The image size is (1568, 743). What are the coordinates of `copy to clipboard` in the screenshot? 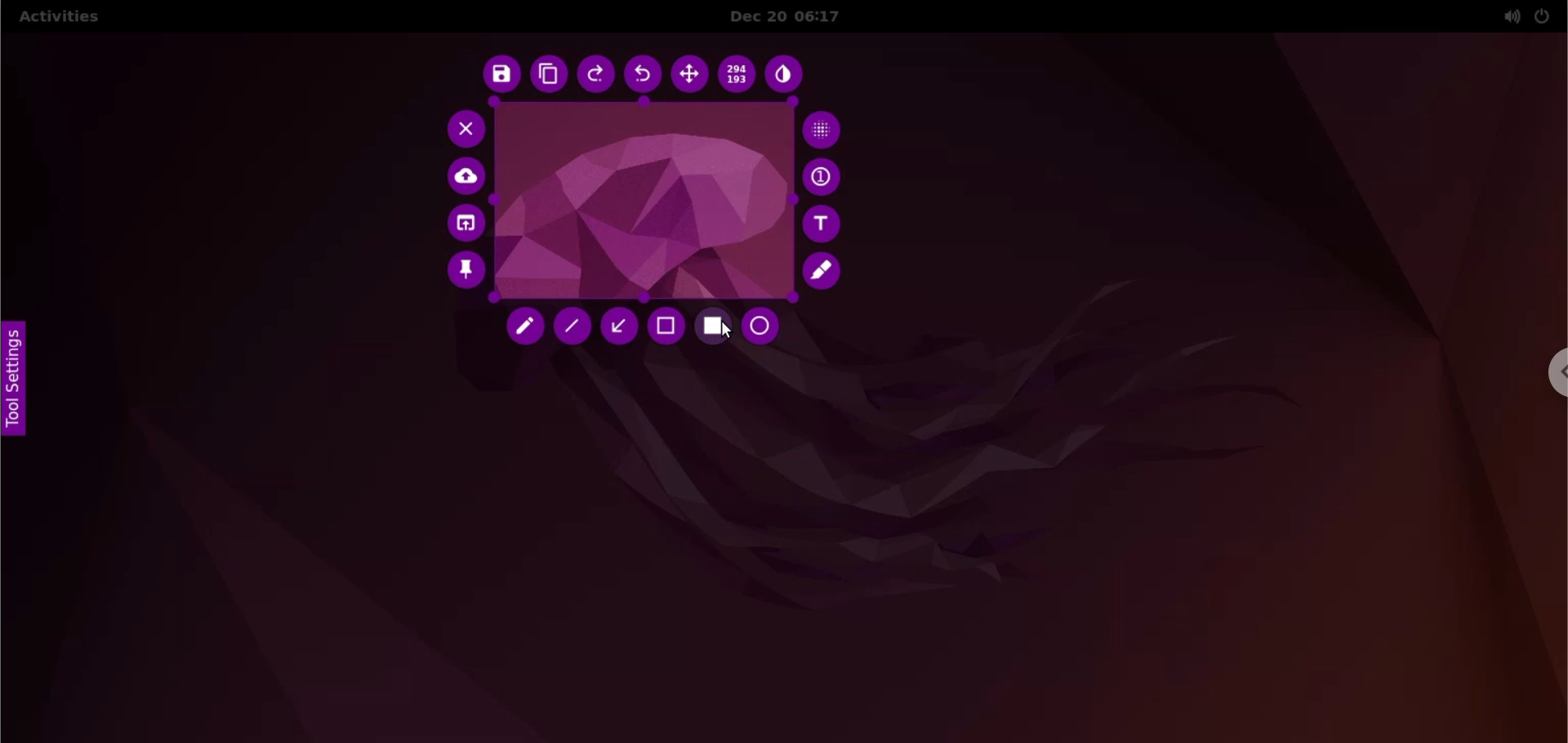 It's located at (548, 75).